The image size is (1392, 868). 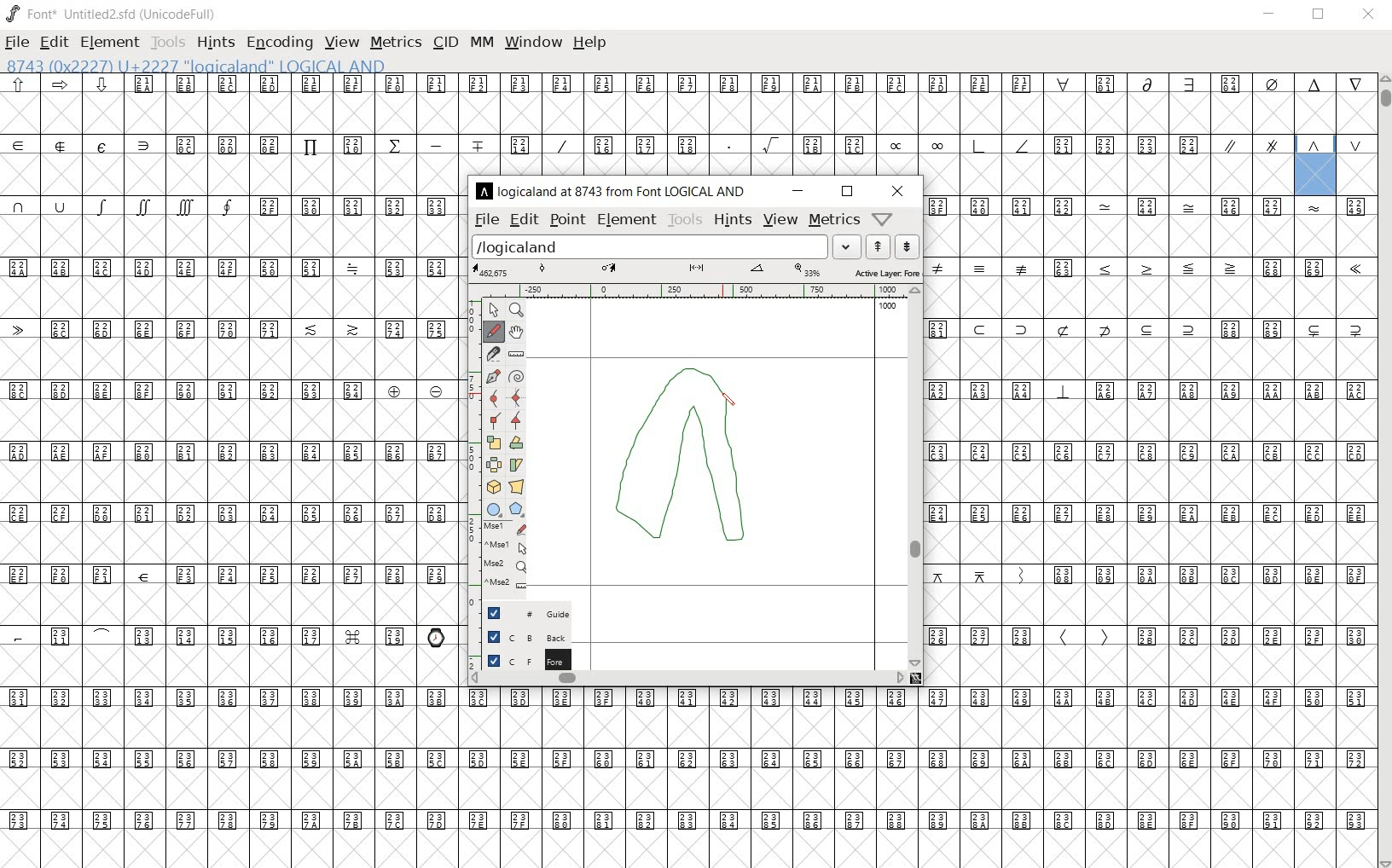 I want to click on encoding, so click(x=281, y=43).